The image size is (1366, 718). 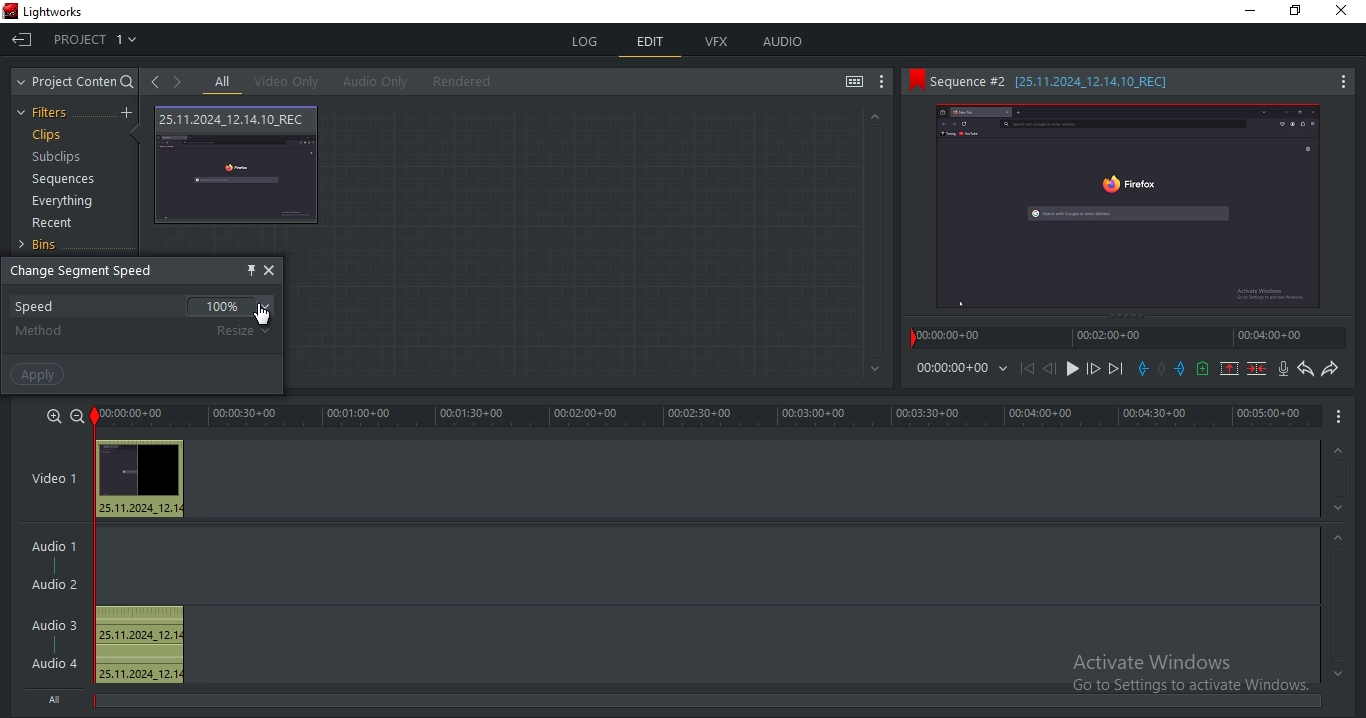 I want to click on speed, so click(x=38, y=306).